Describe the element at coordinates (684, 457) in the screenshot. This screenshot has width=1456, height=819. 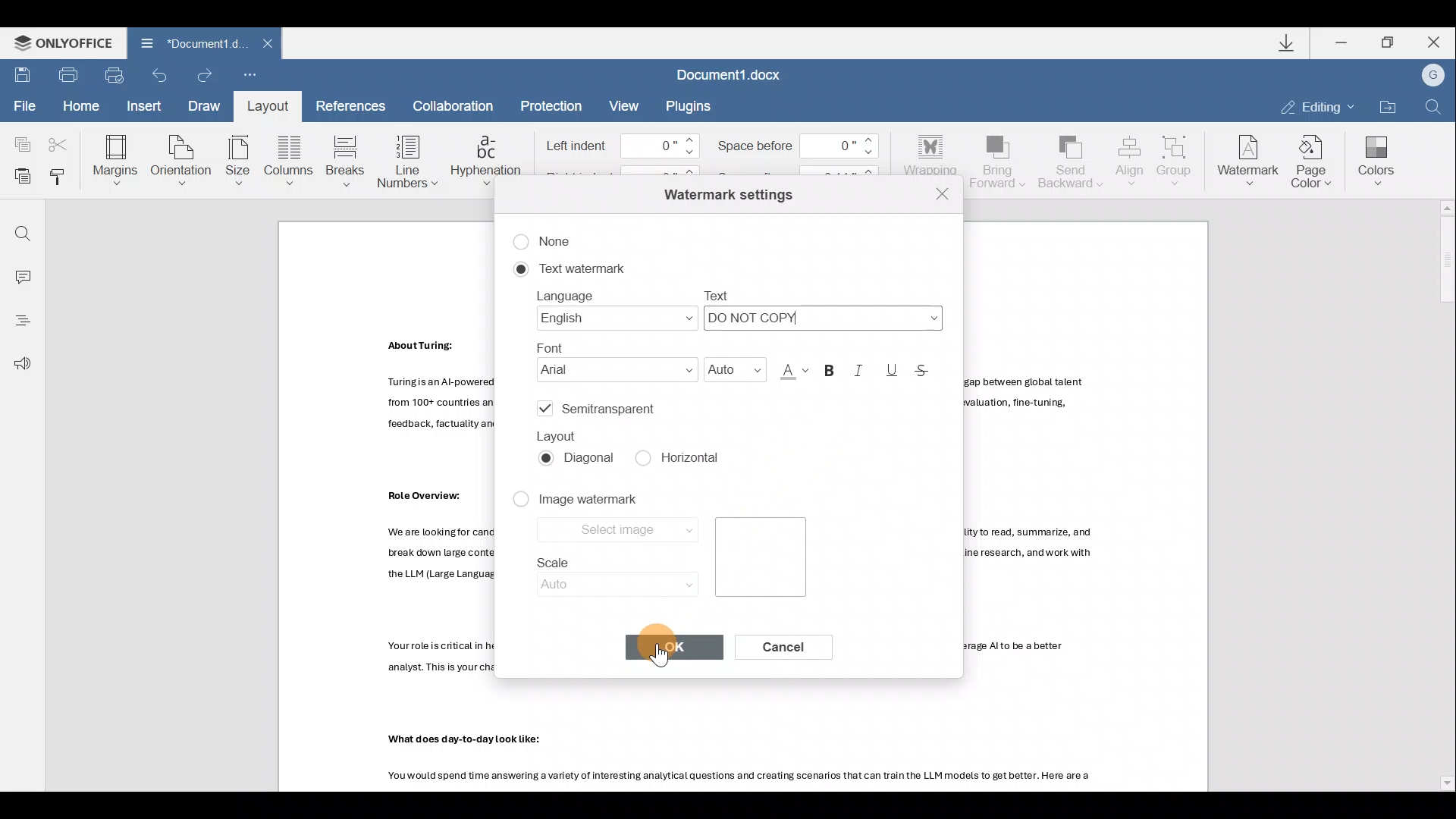
I see `Horizontal` at that location.